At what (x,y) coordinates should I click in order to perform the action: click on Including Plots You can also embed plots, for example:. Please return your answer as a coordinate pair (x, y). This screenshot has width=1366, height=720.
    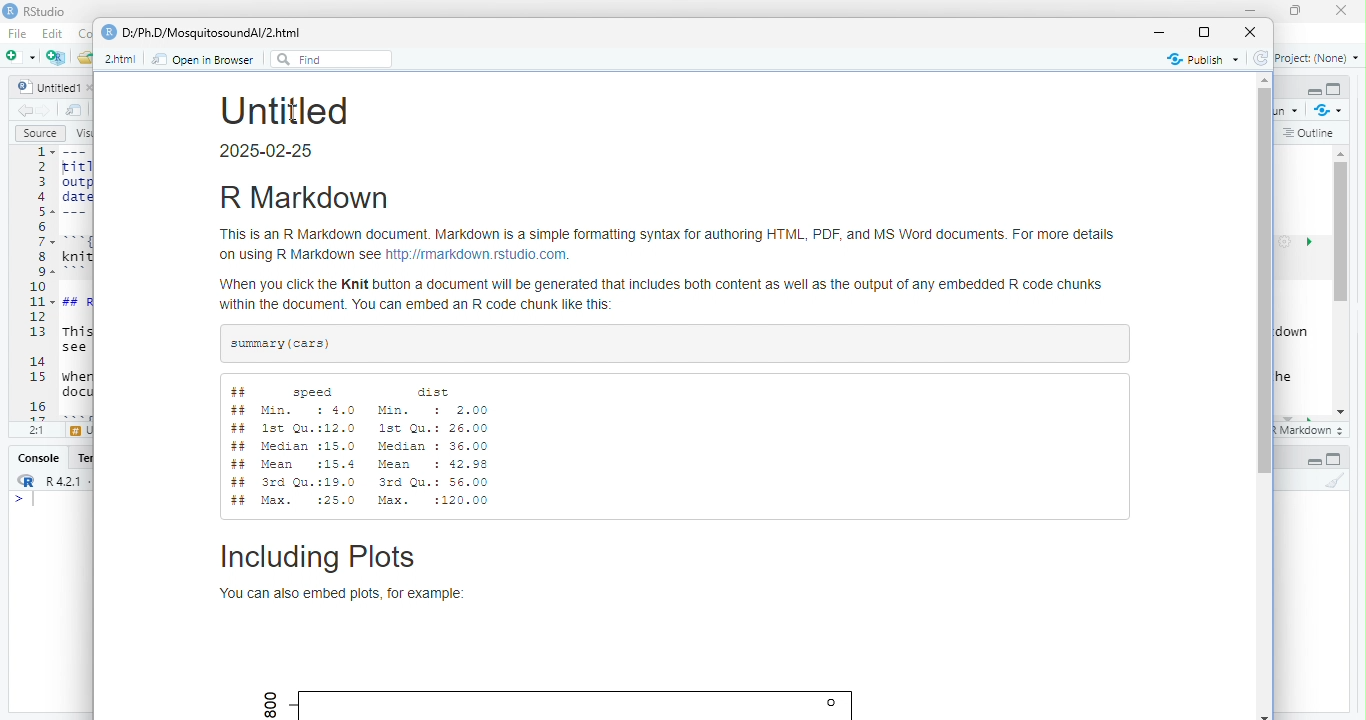
    Looking at the image, I should click on (345, 573).